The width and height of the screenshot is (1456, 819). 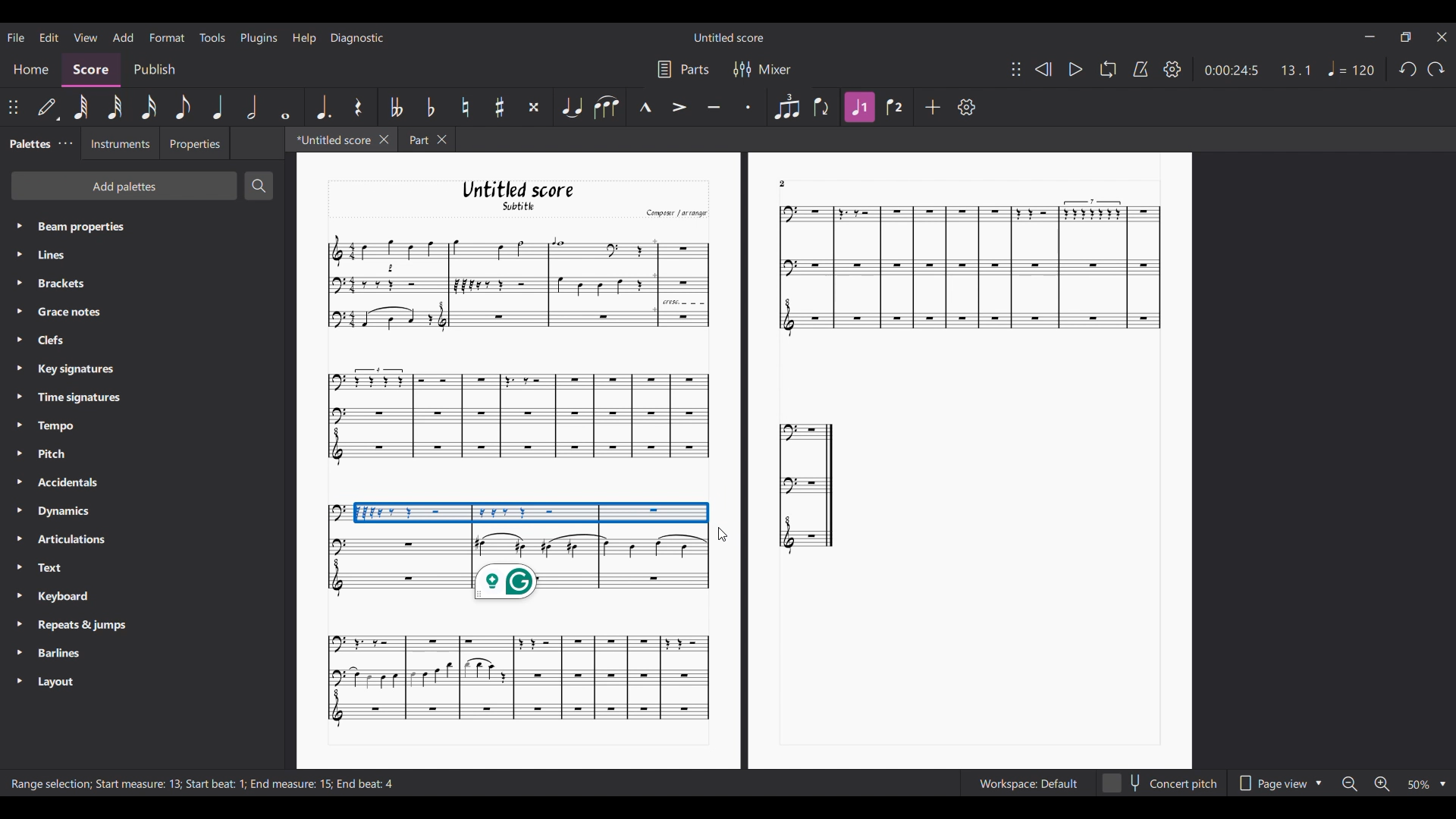 I want to click on Staccato , so click(x=750, y=105).